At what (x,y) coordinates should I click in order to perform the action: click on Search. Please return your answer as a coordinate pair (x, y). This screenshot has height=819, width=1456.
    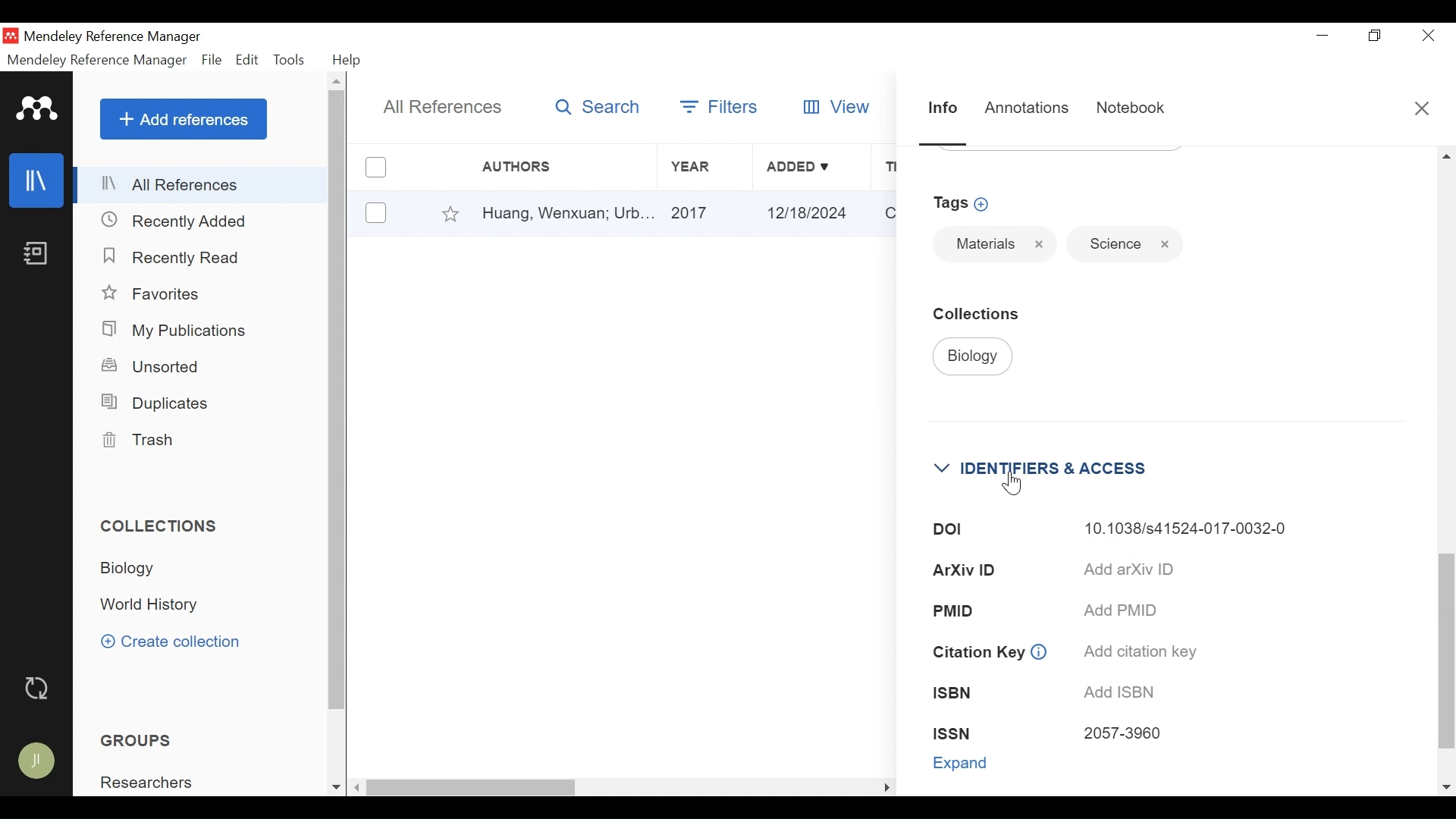
    Looking at the image, I should click on (598, 108).